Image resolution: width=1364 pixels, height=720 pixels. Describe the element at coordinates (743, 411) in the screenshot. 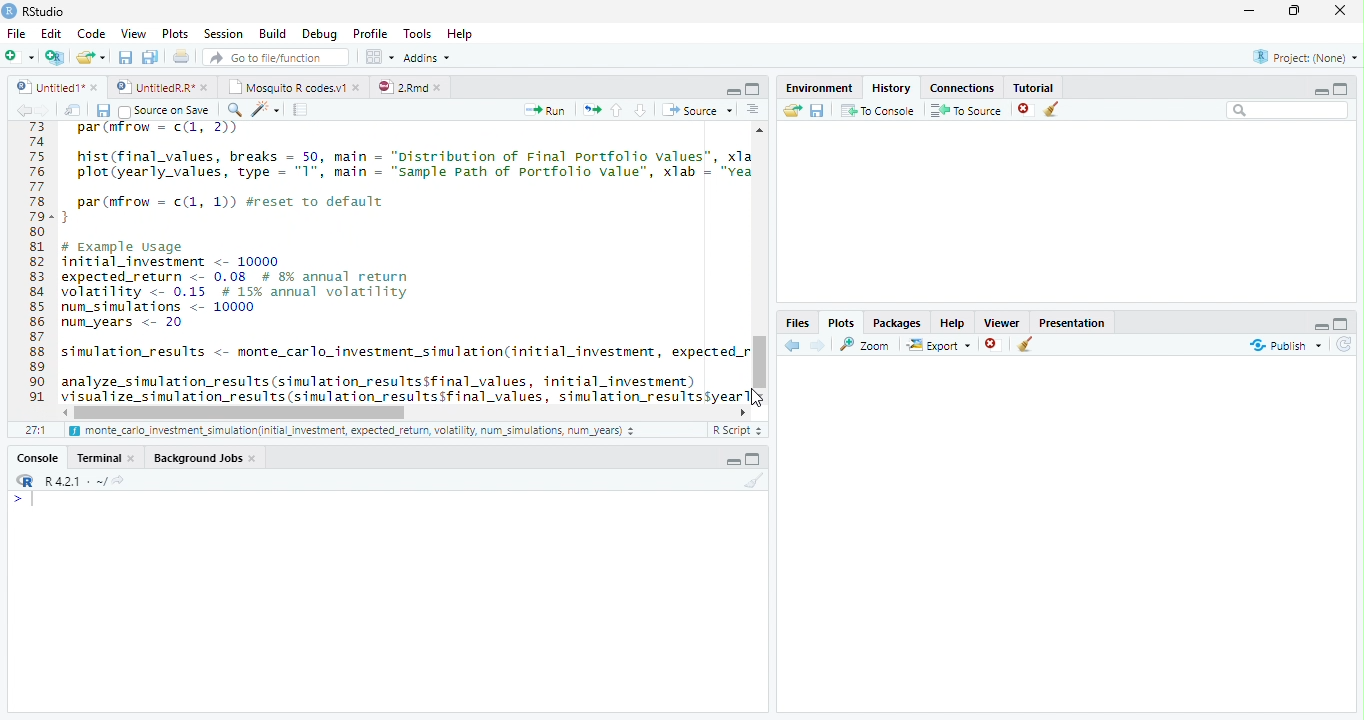

I see `Scroll Right` at that location.